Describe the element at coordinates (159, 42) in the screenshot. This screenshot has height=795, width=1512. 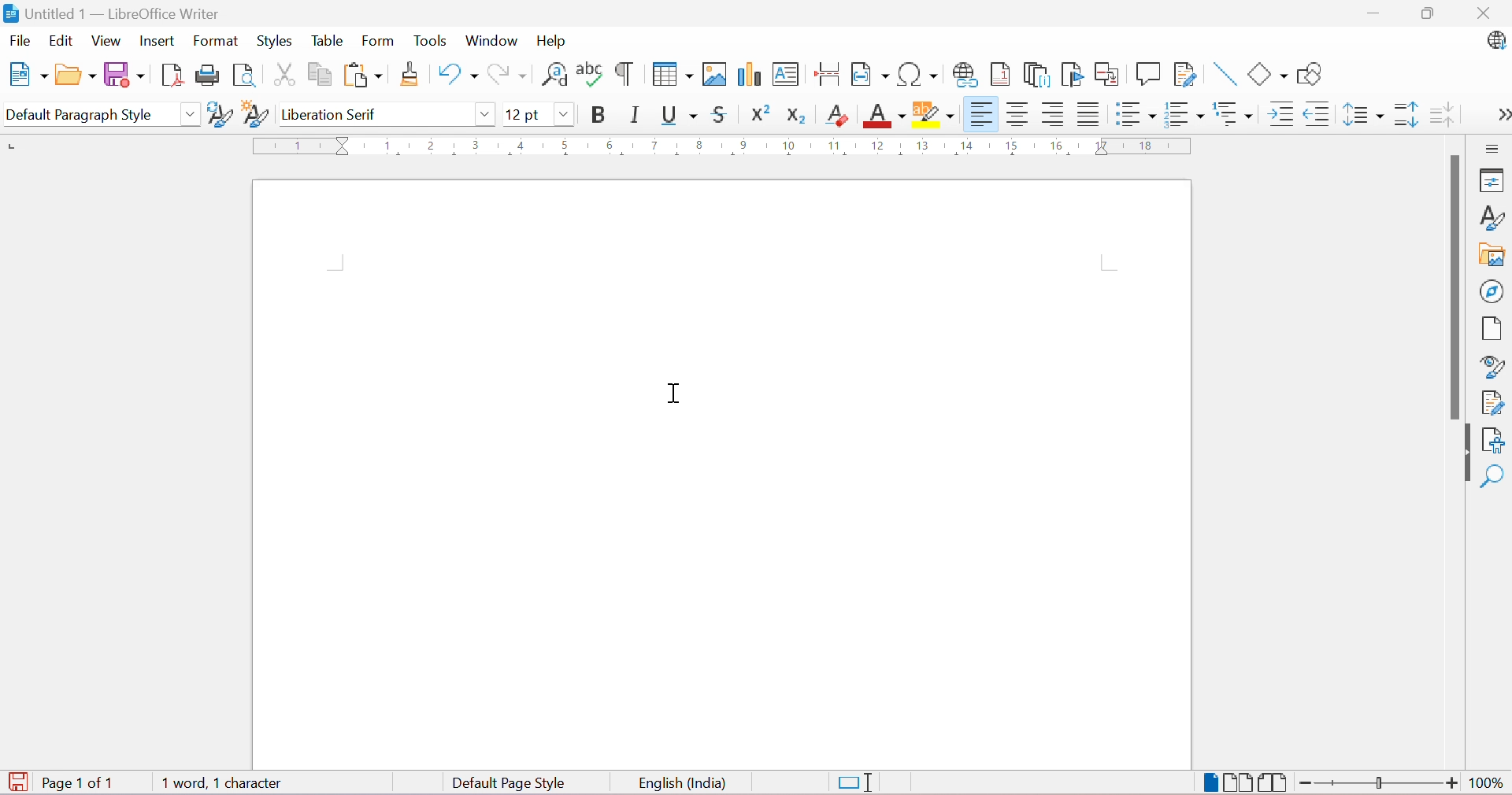
I see `Insert` at that location.